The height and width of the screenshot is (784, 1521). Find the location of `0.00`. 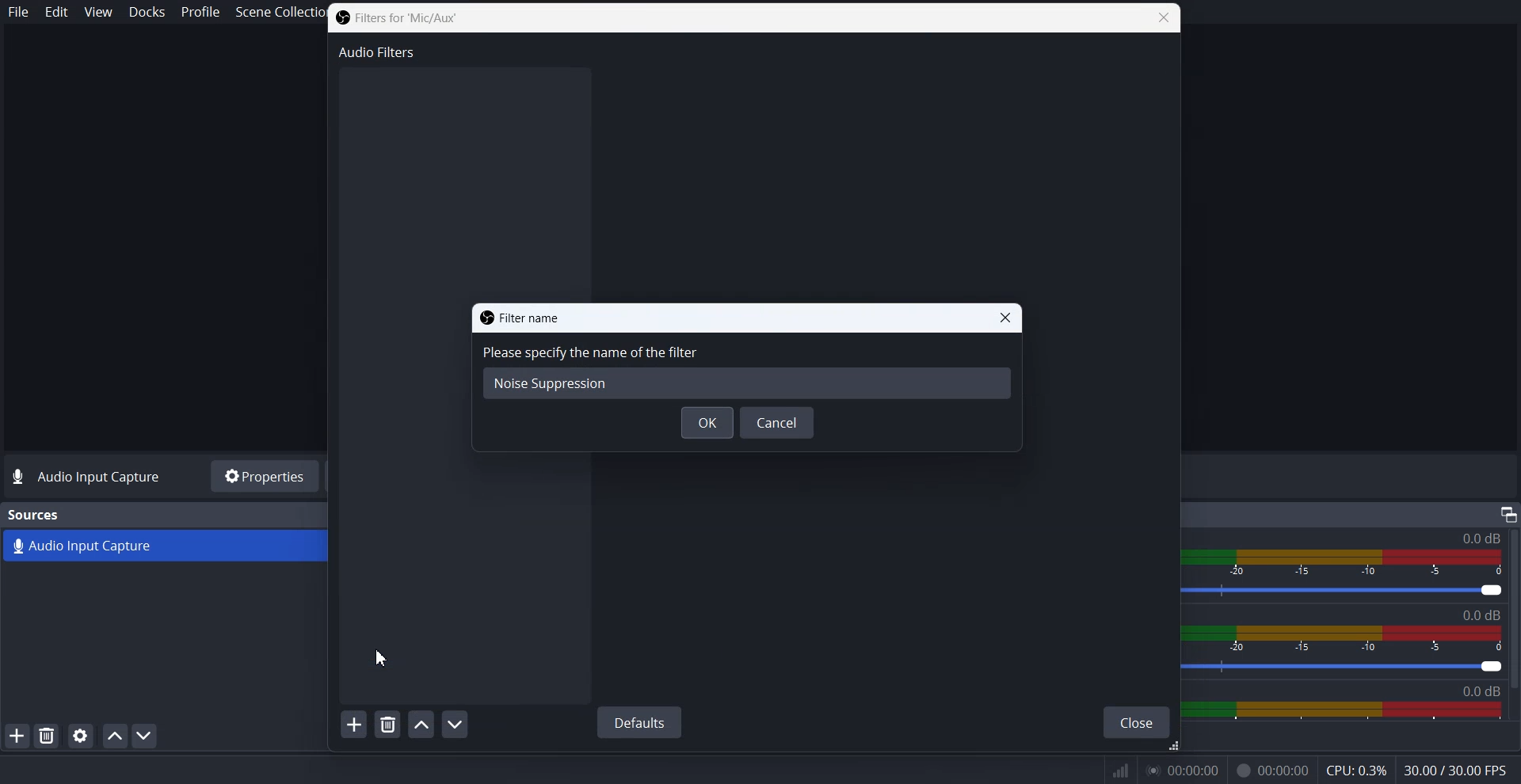

0.00 is located at coordinates (1188, 774).